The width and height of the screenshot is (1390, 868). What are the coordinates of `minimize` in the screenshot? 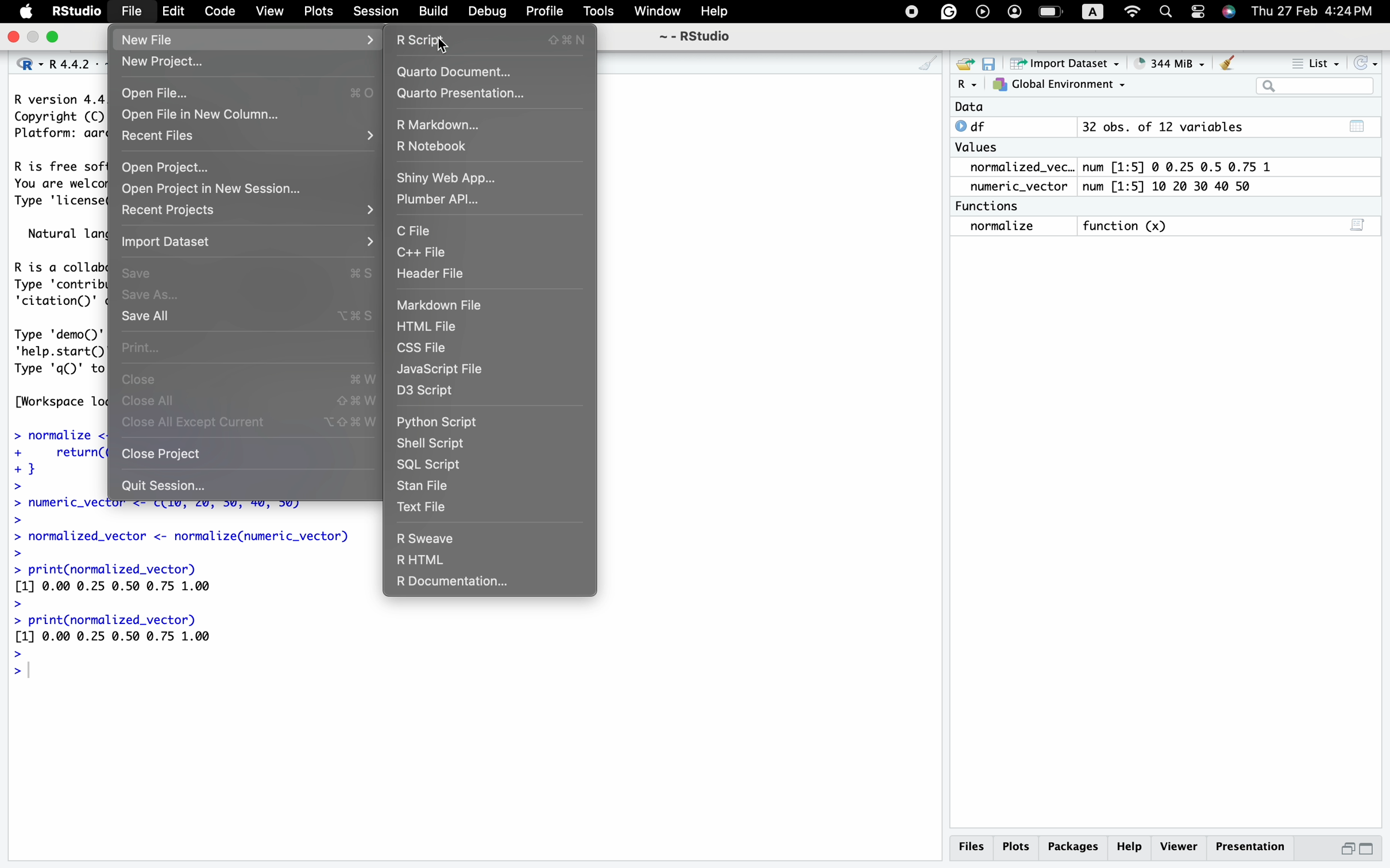 It's located at (1347, 850).